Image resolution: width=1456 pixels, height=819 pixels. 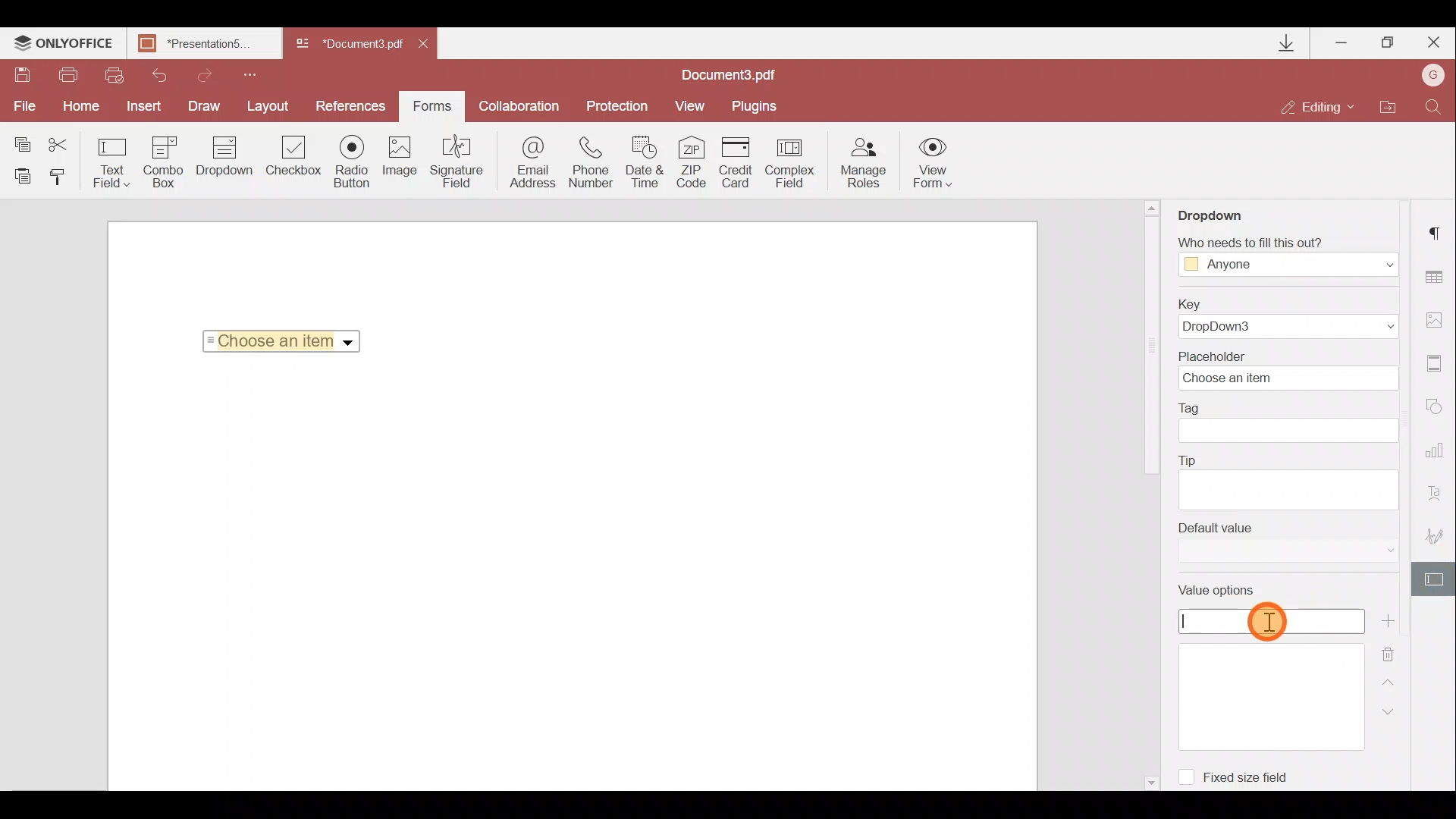 What do you see at coordinates (208, 106) in the screenshot?
I see `Draw` at bounding box center [208, 106].